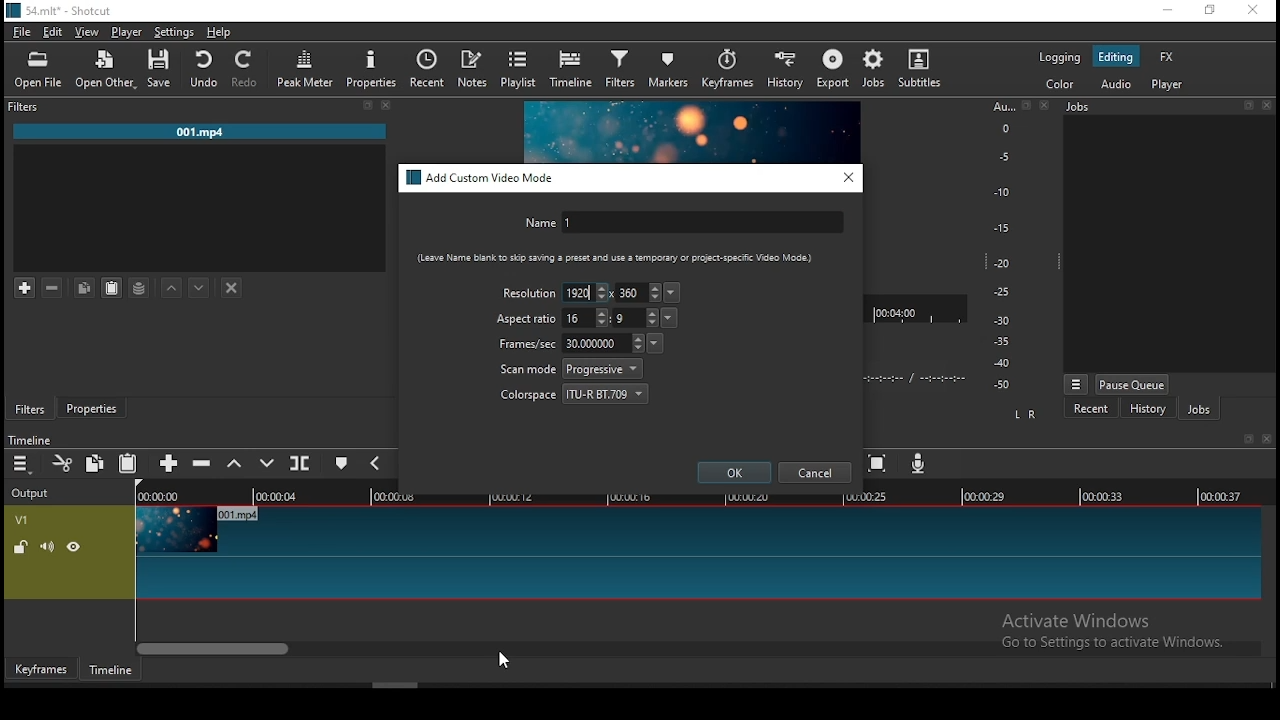 The image size is (1280, 720). Describe the element at coordinates (1270, 439) in the screenshot. I see `close` at that location.